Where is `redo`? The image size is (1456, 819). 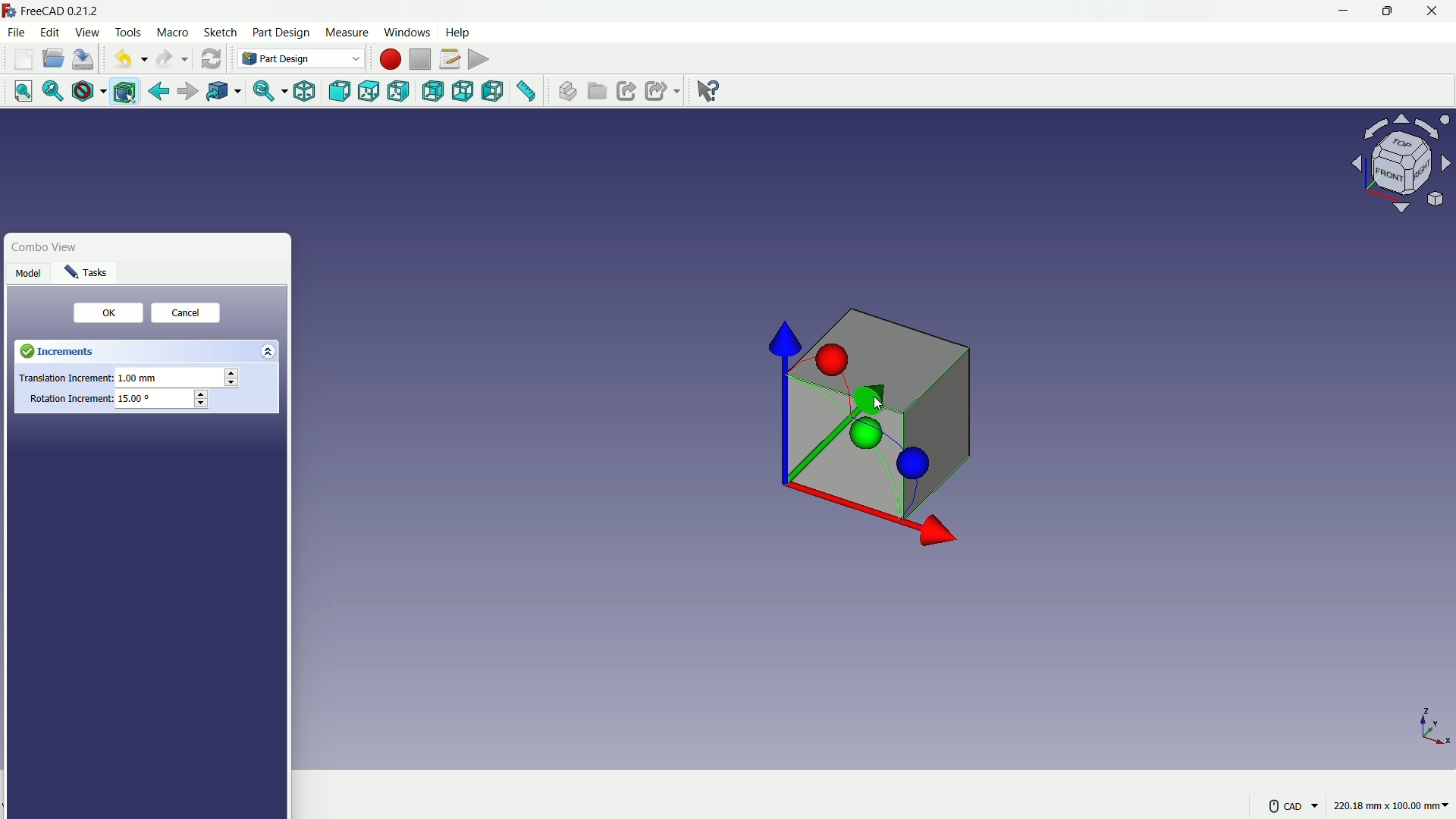
redo is located at coordinates (172, 59).